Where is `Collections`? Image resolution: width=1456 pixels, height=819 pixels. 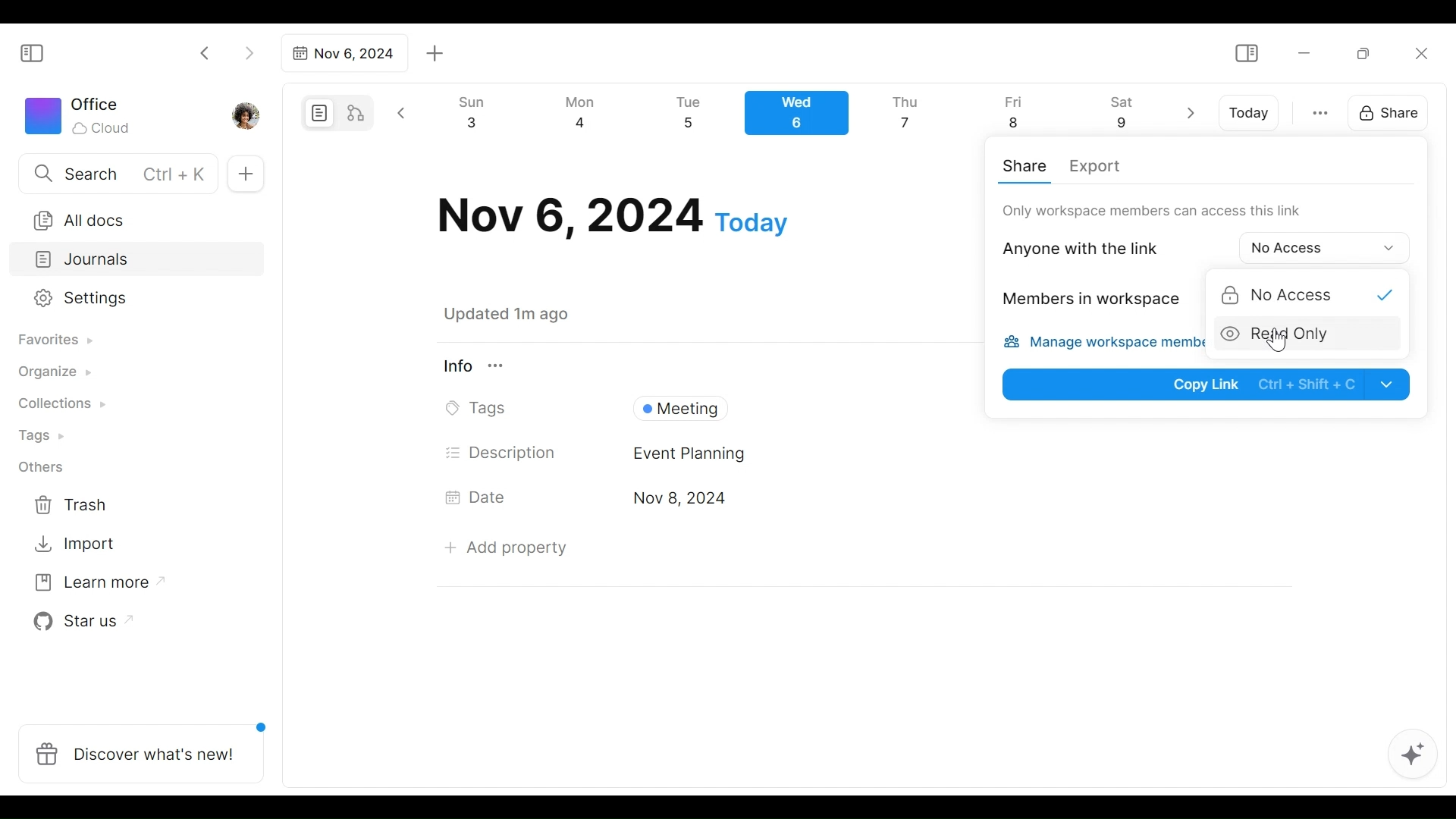
Collections is located at coordinates (60, 406).